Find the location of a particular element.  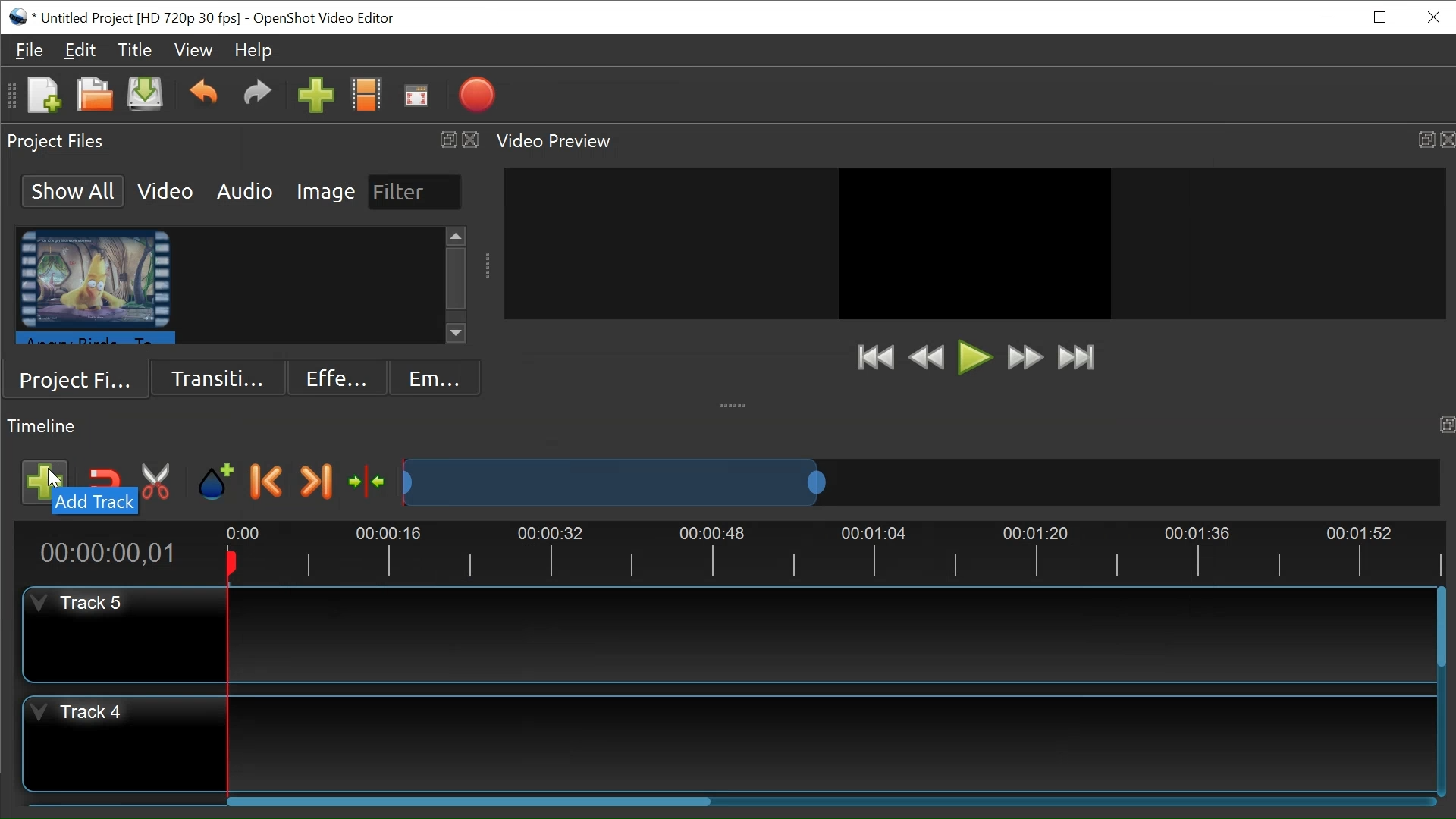

Jump to Start is located at coordinates (874, 356).